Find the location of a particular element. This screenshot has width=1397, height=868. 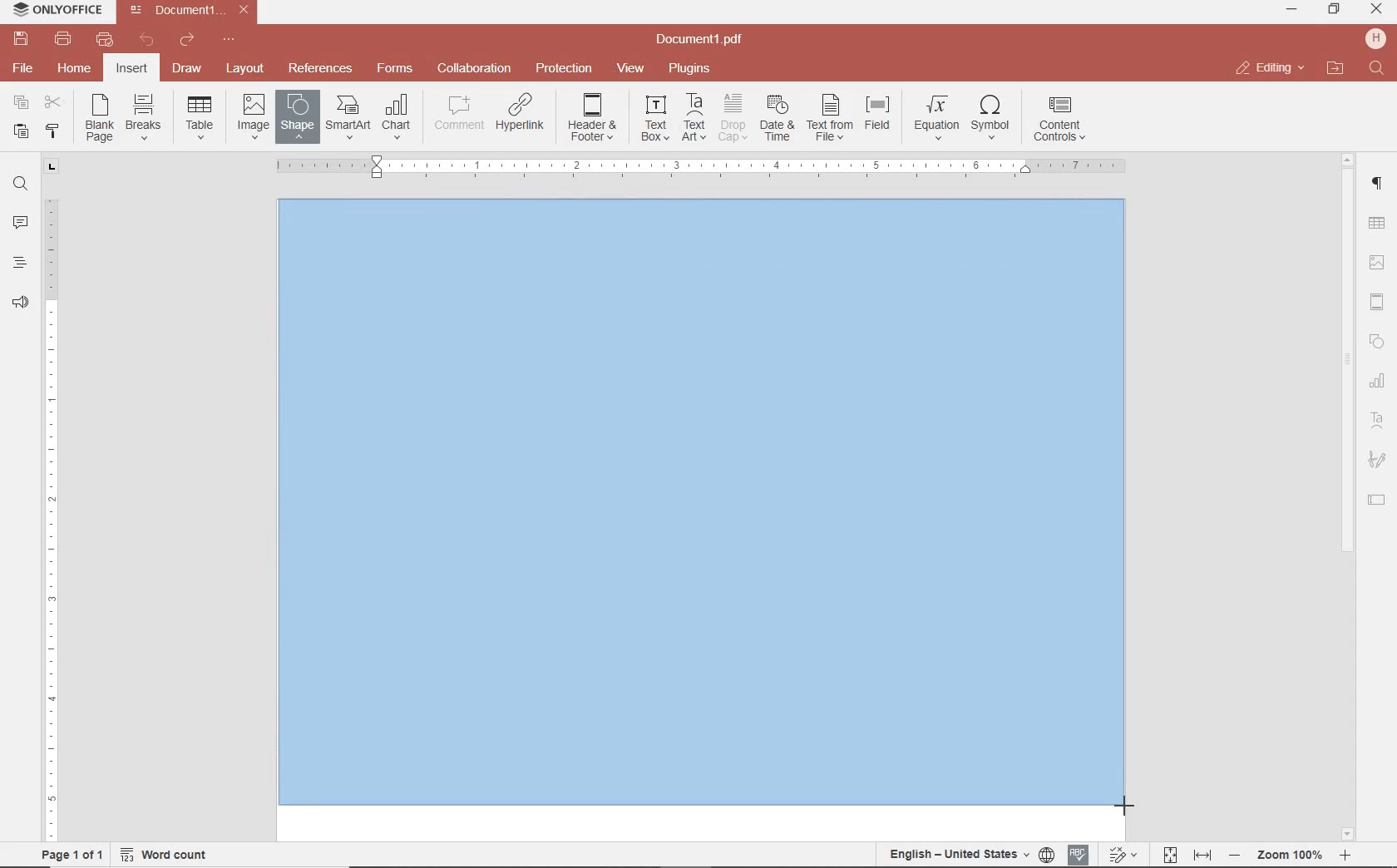

INSERT CONTENT CONTROLS is located at coordinates (1059, 120).